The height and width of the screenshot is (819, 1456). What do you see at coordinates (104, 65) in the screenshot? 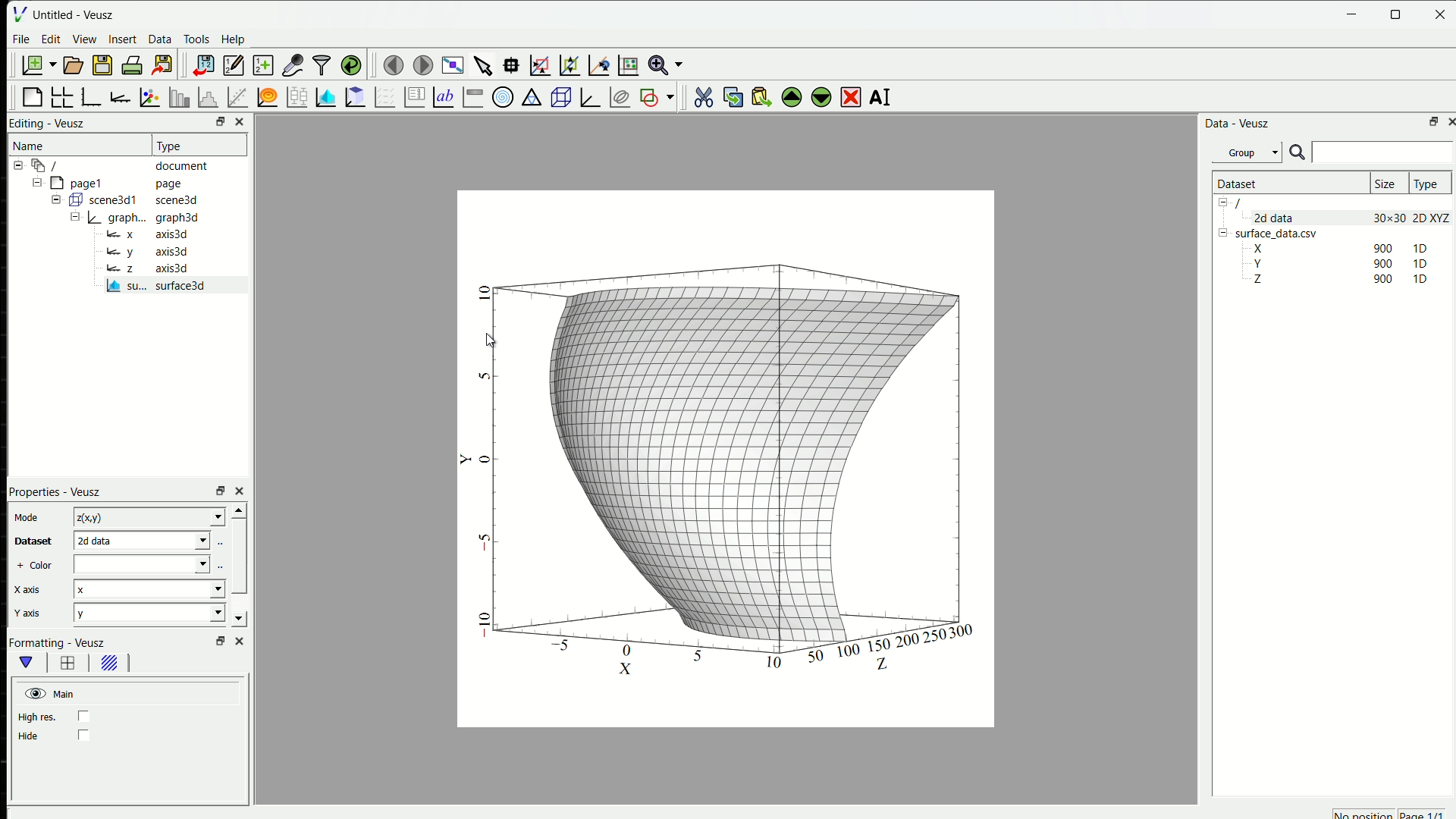
I see `save` at bounding box center [104, 65].